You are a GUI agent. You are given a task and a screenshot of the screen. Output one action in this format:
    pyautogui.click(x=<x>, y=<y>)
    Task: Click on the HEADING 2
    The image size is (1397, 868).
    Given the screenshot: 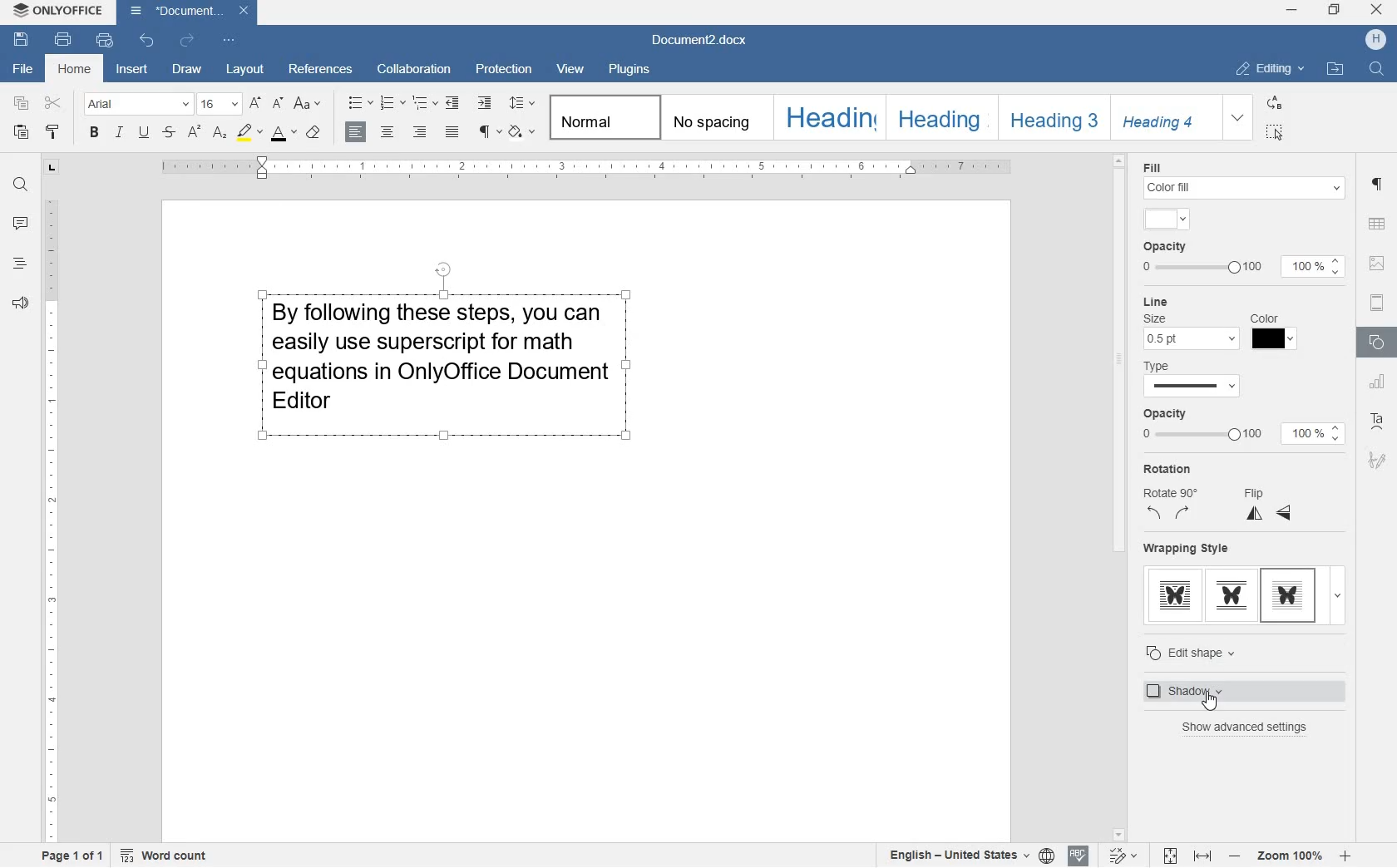 What is the action you would take?
    pyautogui.click(x=938, y=116)
    